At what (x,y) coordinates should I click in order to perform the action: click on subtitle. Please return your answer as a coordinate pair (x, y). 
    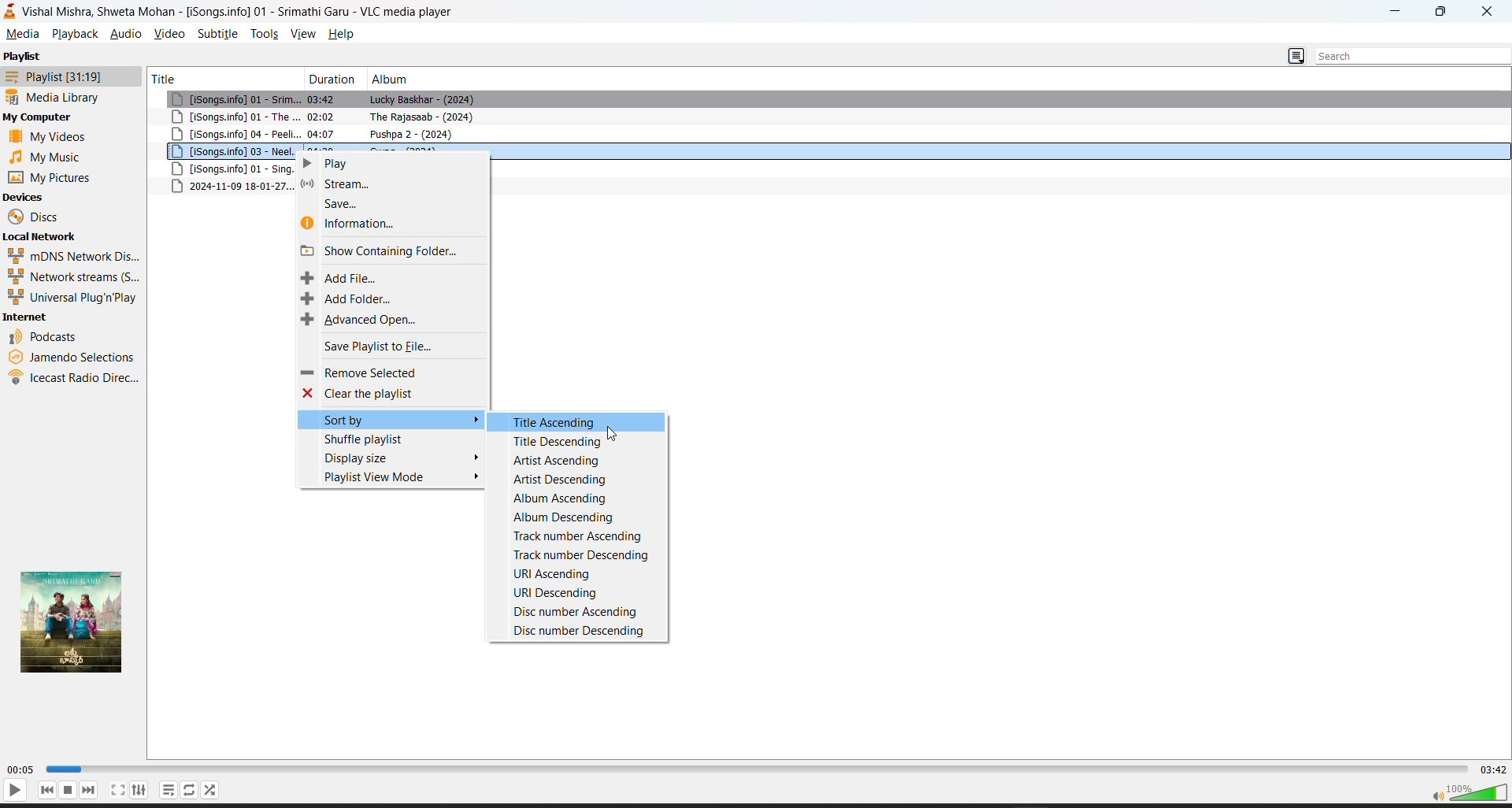
    Looking at the image, I should click on (218, 33).